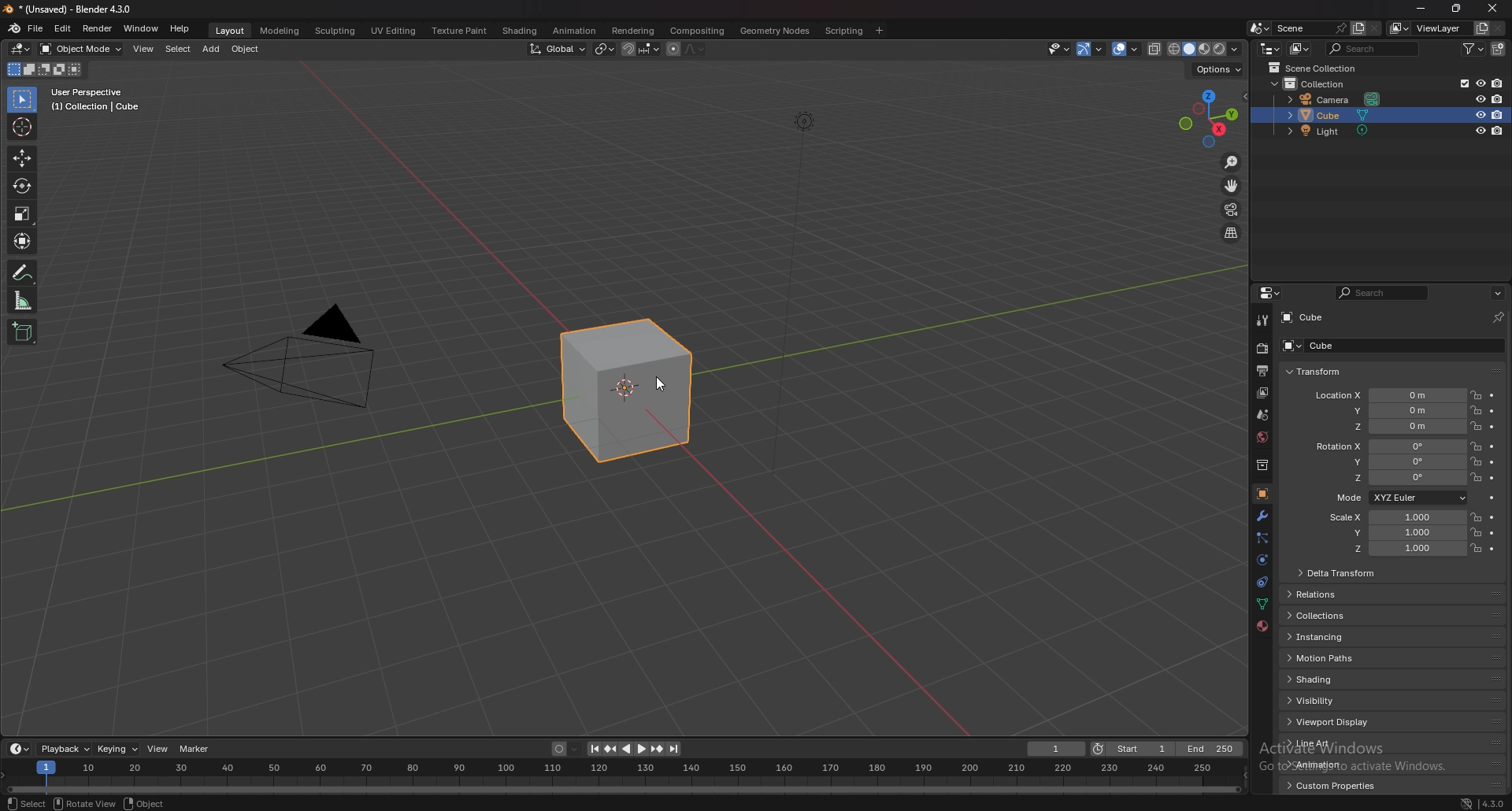 The height and width of the screenshot is (811, 1512). I want to click on render, so click(1262, 347).